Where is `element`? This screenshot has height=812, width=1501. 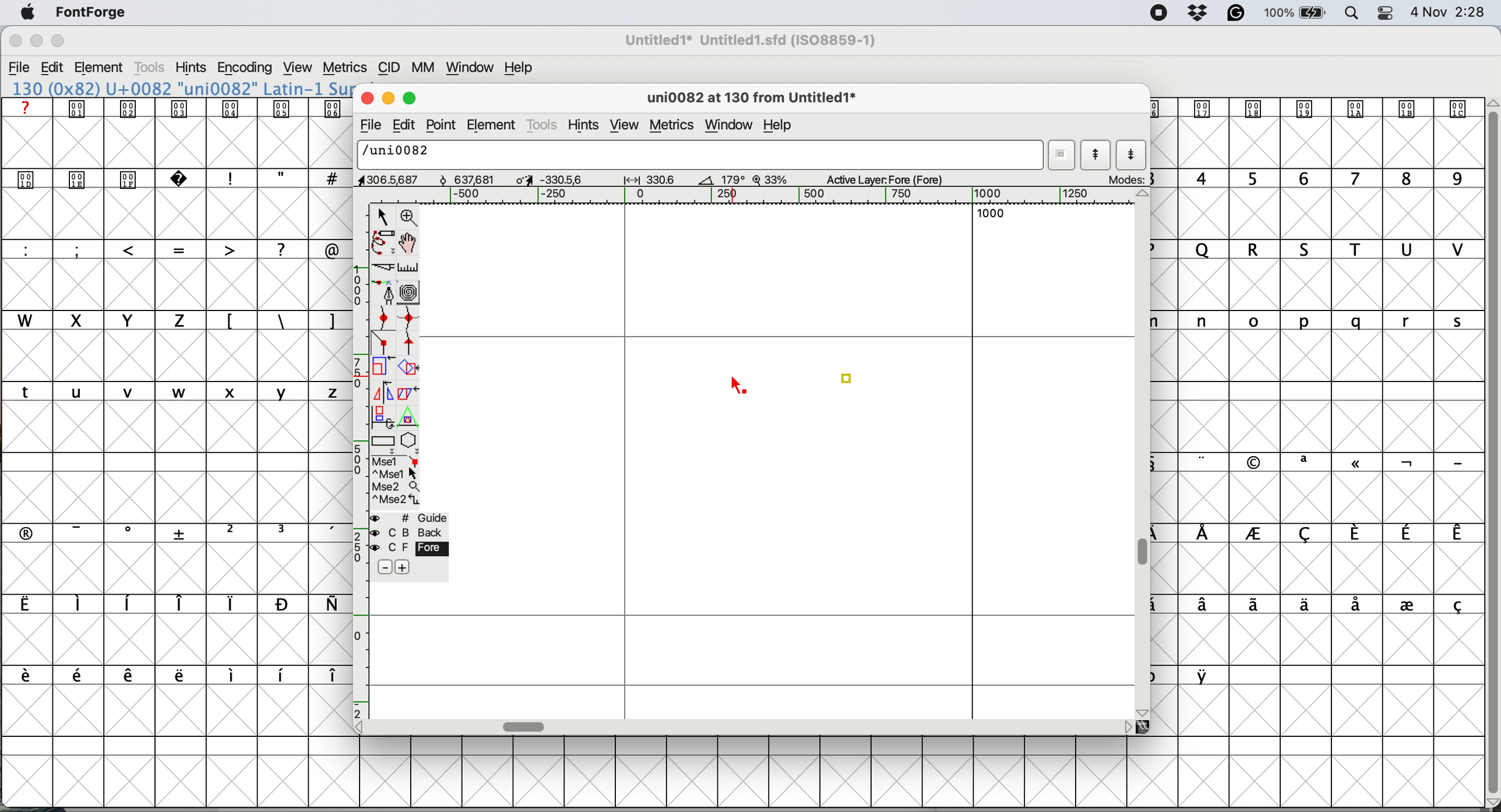 element is located at coordinates (494, 123).